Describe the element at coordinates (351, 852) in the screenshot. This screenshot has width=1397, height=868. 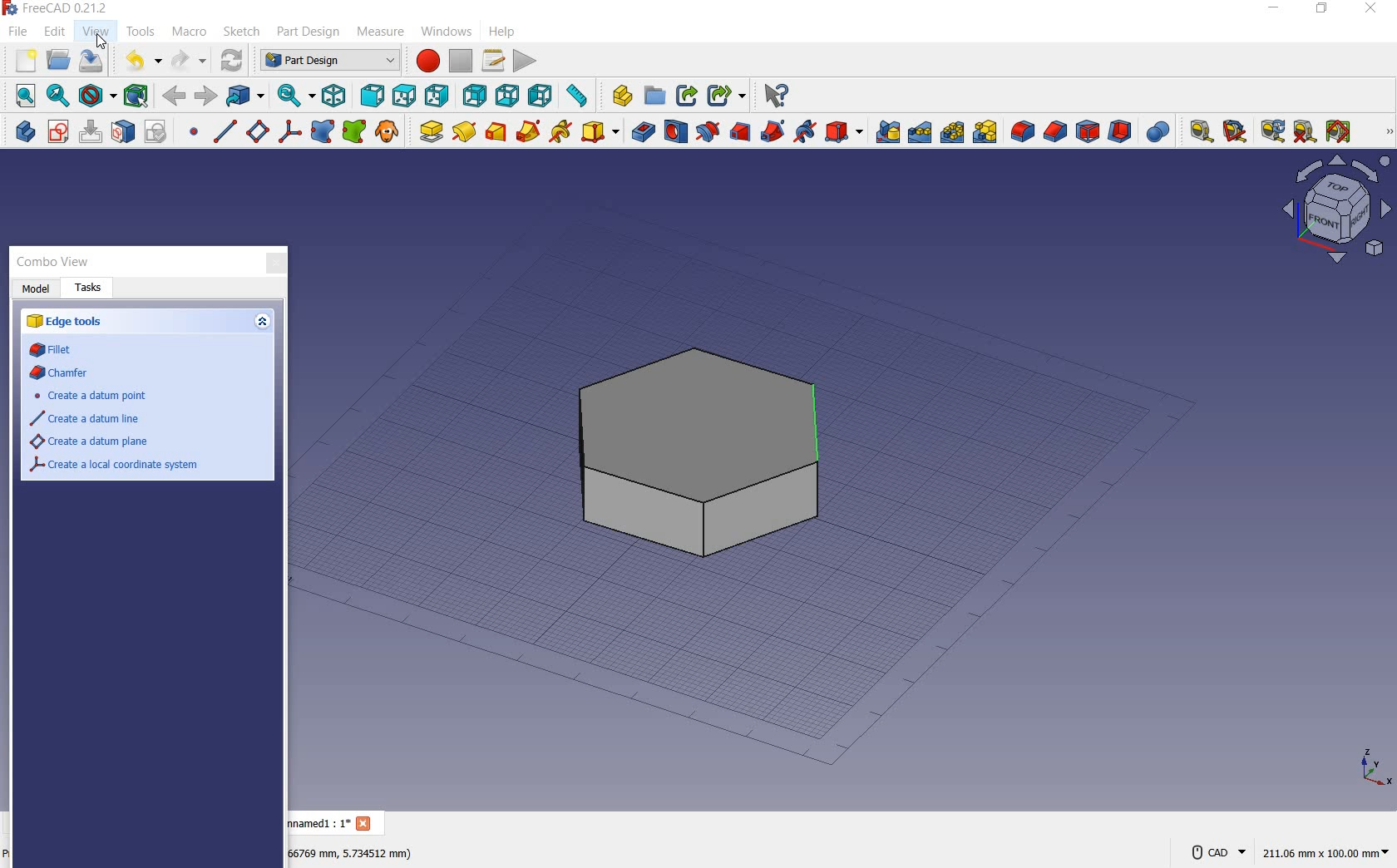
I see `66759 mm,5.734512 mm(DIMENSION)` at that location.